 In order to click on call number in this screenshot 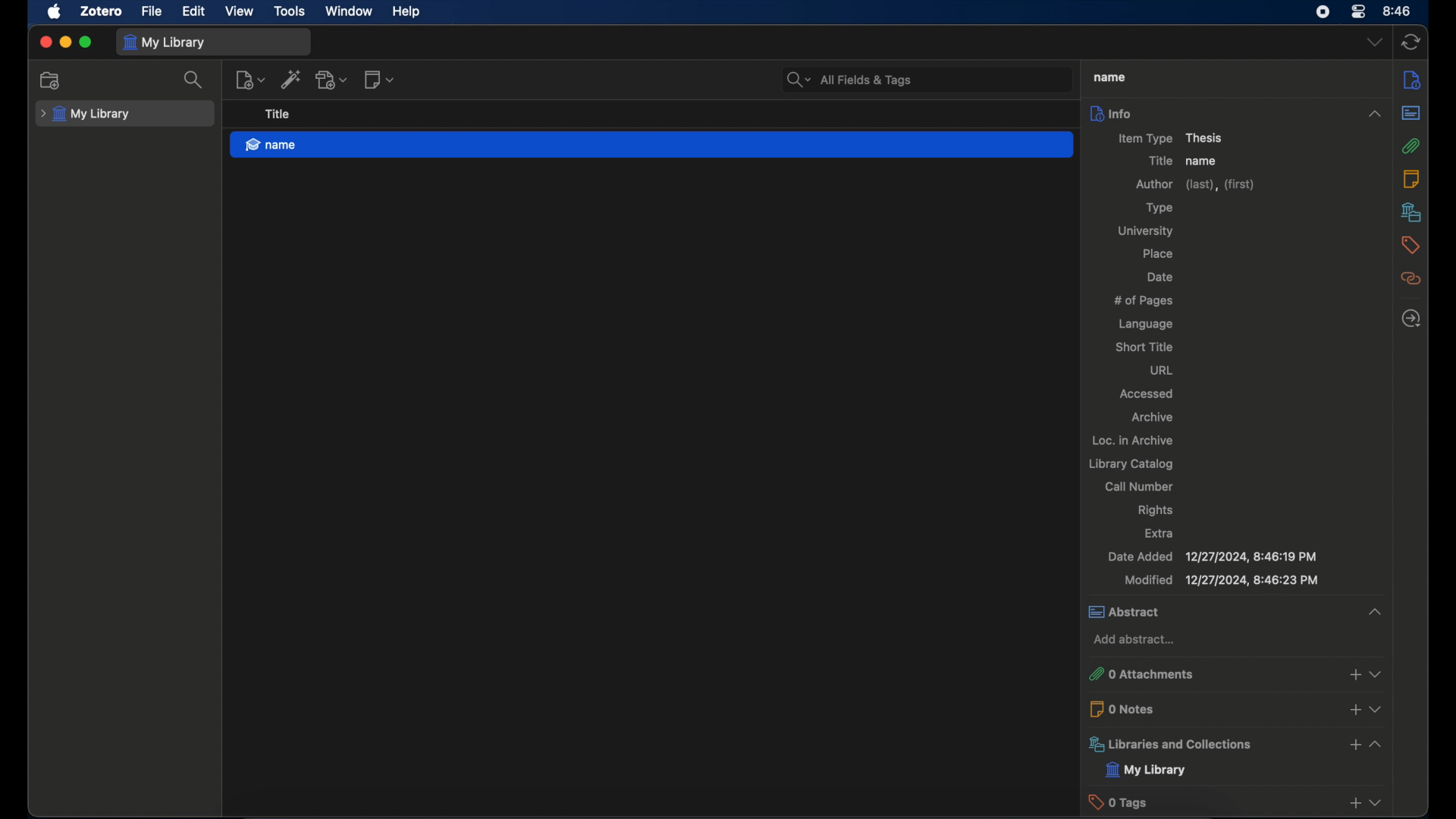, I will do `click(1139, 486)`.